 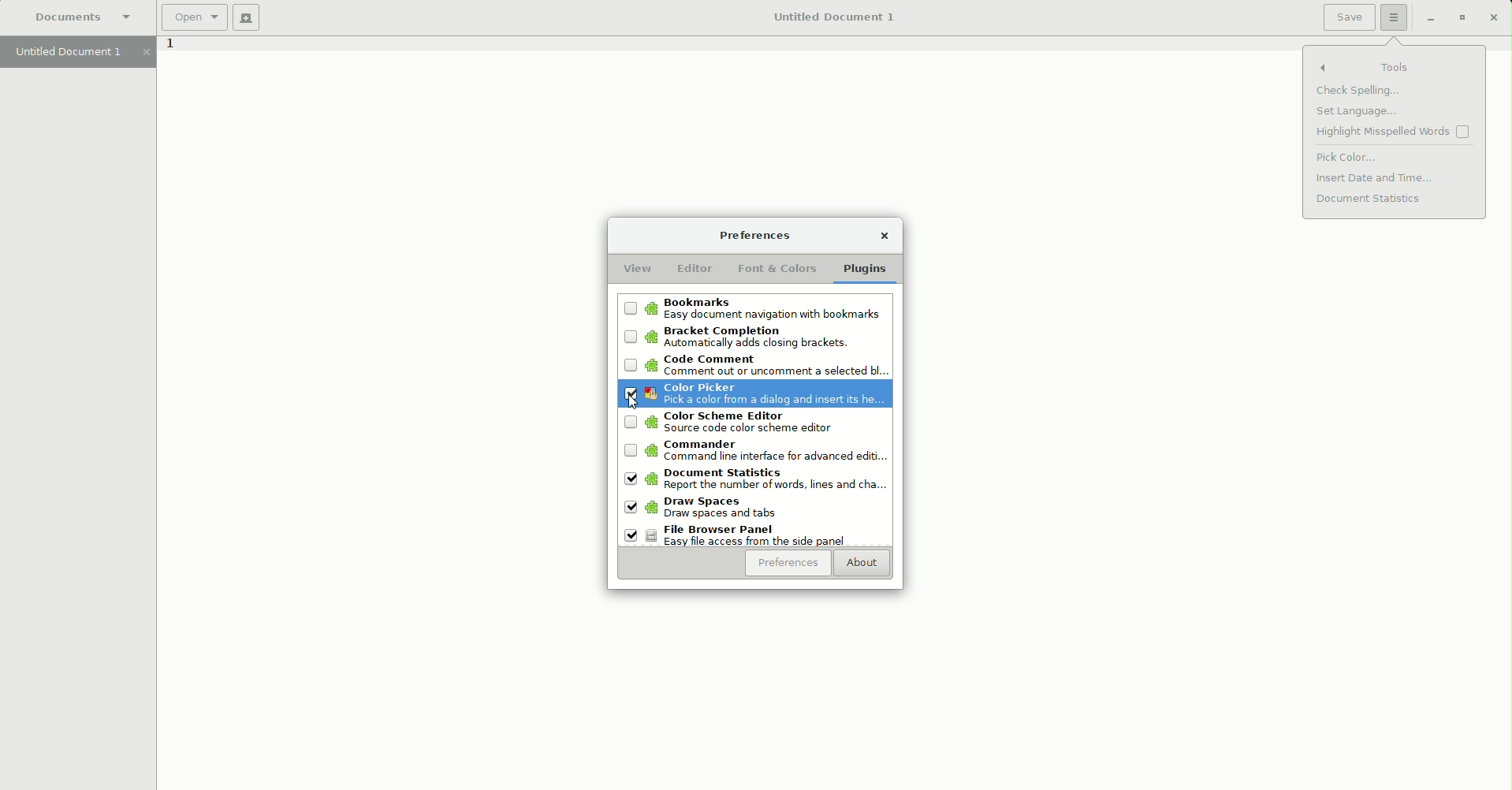 What do you see at coordinates (1396, 67) in the screenshot?
I see `Tools` at bounding box center [1396, 67].